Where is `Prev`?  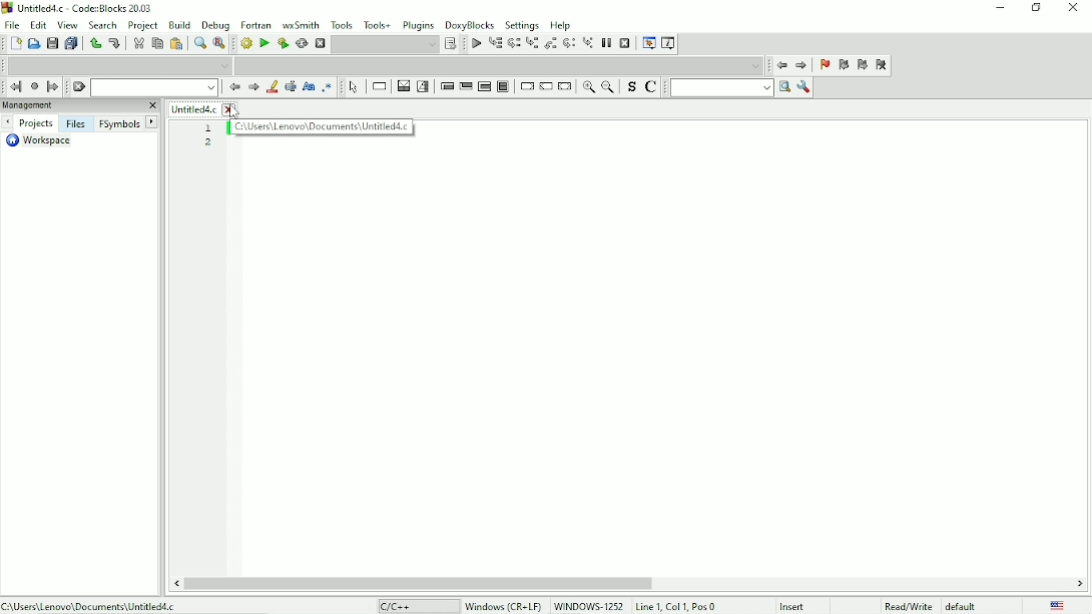 Prev is located at coordinates (233, 88).